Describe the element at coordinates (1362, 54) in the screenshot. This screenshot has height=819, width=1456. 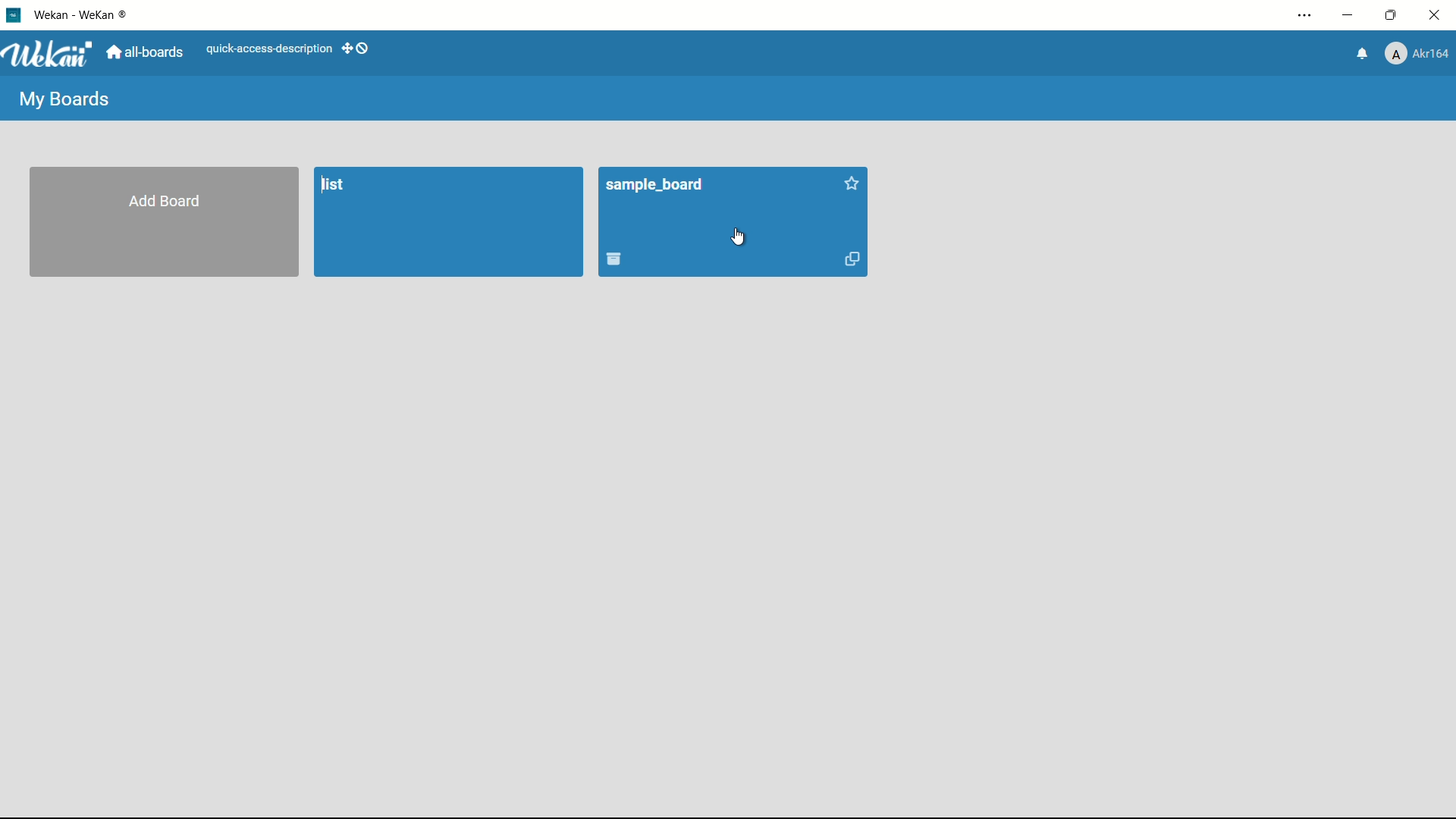
I see `notifications` at that location.